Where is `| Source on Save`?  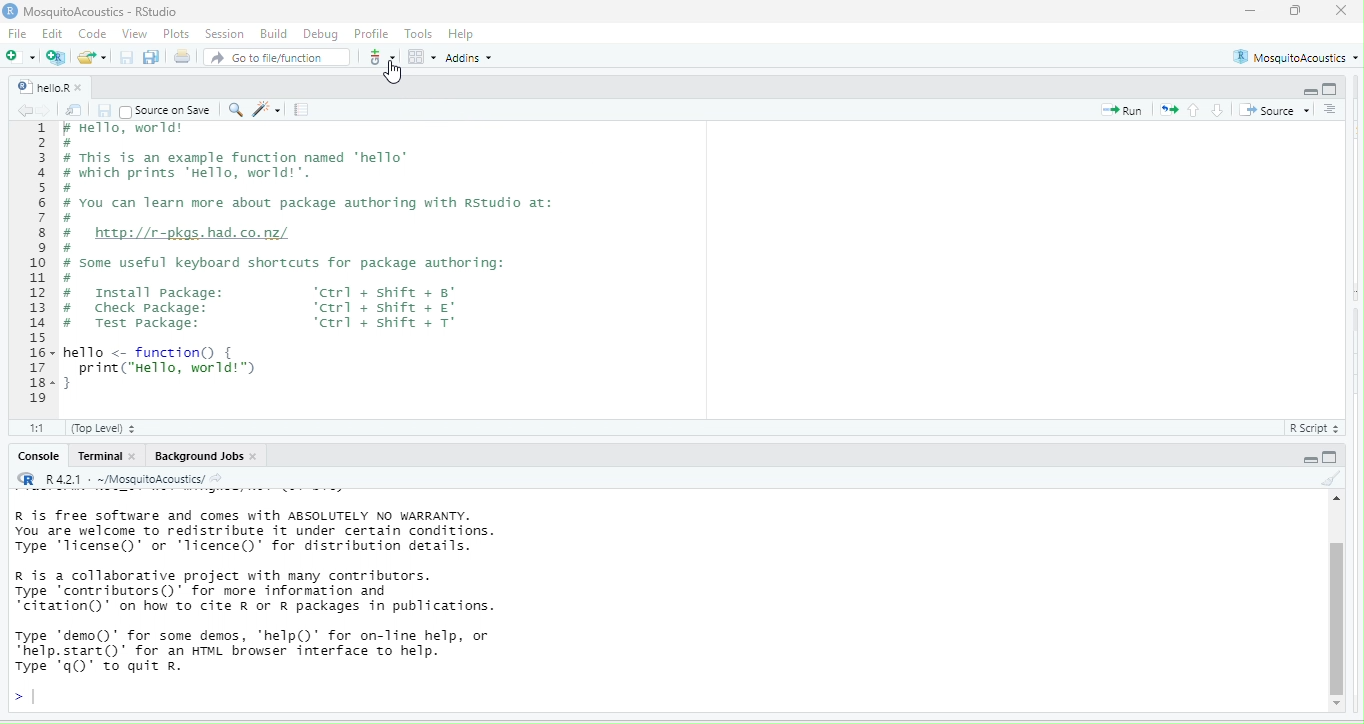
| Source on Save is located at coordinates (169, 112).